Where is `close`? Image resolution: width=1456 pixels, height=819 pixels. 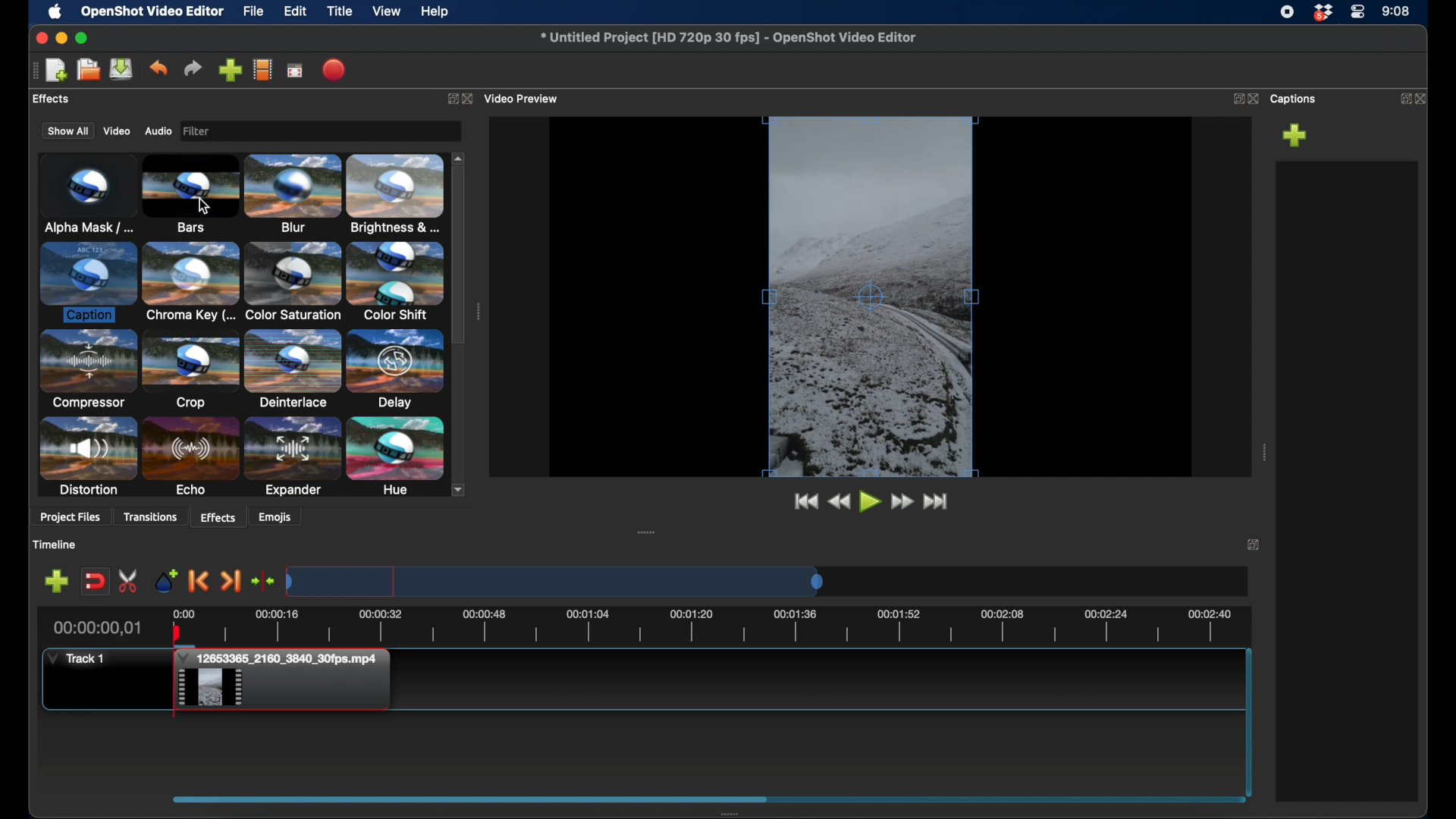
close is located at coordinates (1424, 97).